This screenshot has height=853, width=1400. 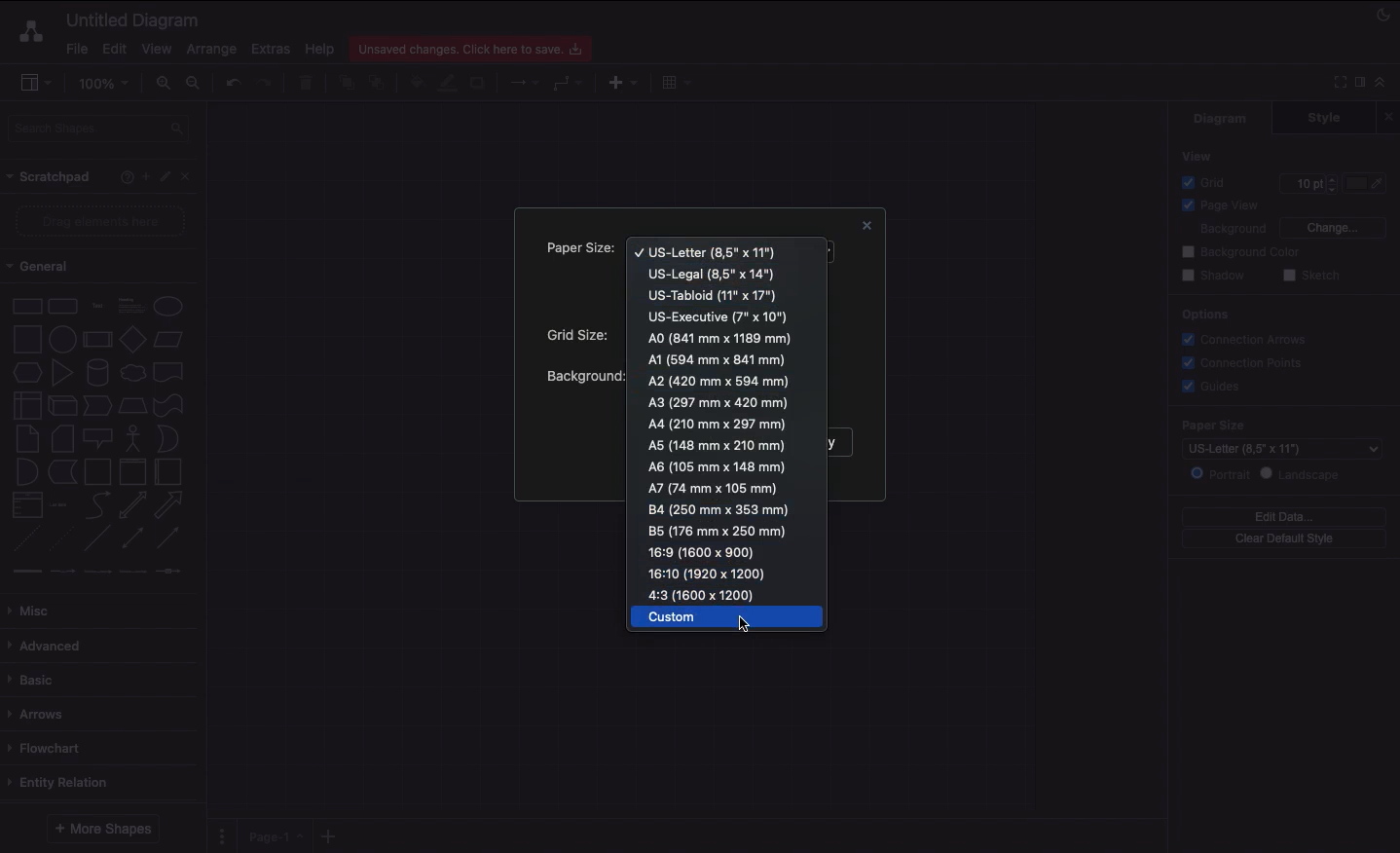 What do you see at coordinates (711, 486) in the screenshot?
I see `A7` at bounding box center [711, 486].